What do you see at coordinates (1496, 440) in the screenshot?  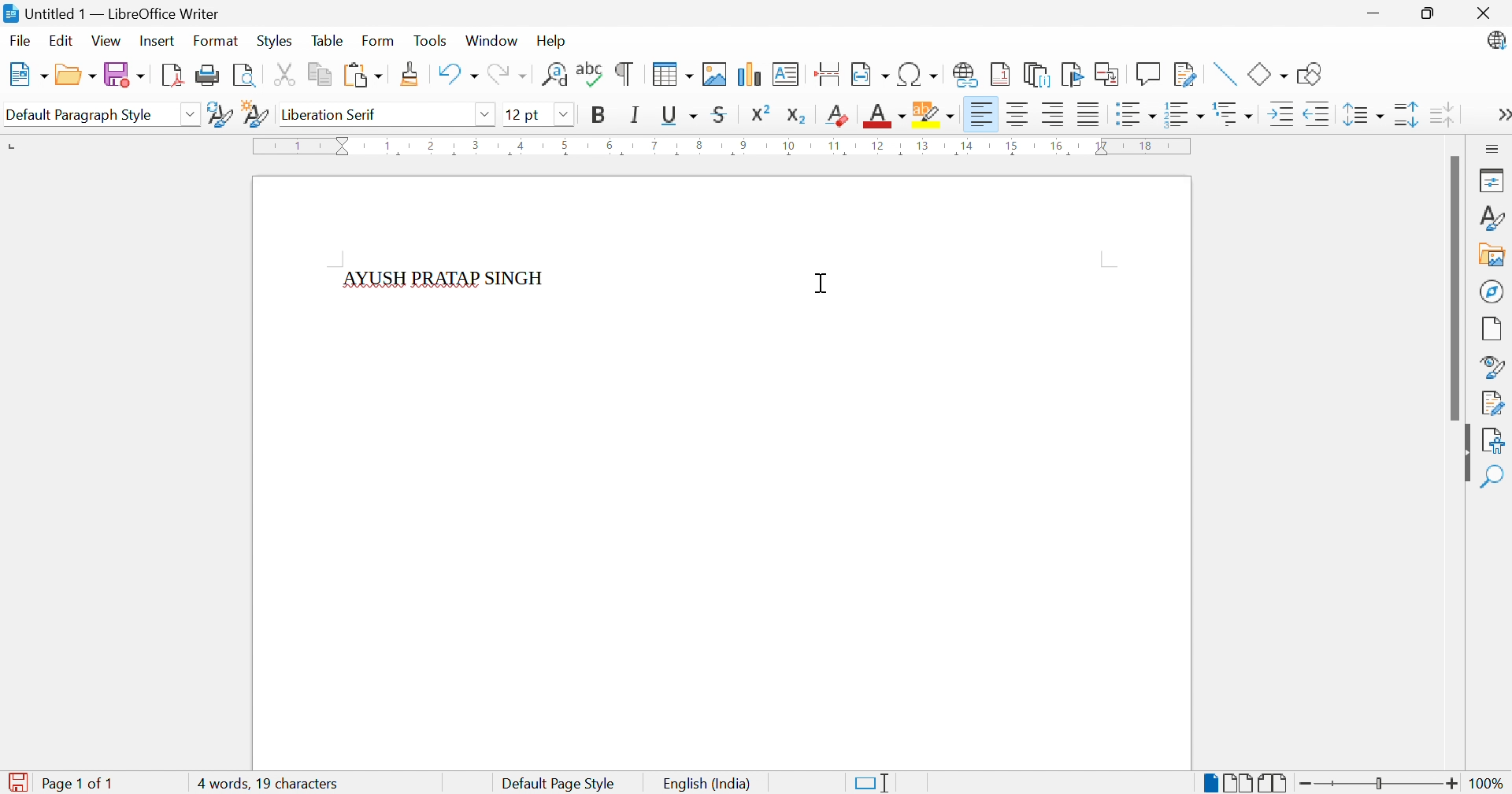 I see `Accessibility Check` at bounding box center [1496, 440].